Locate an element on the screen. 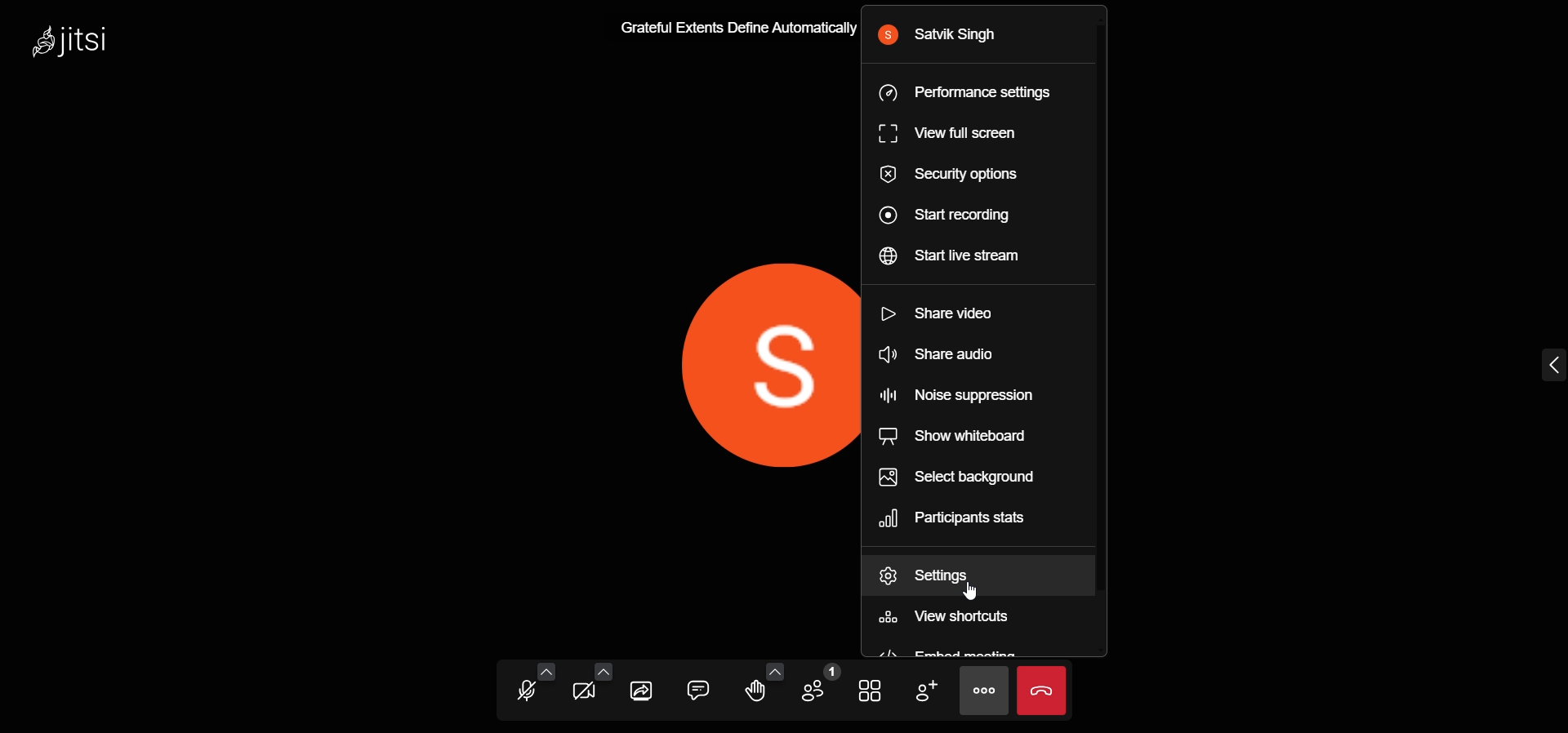  select background is located at coordinates (961, 478).